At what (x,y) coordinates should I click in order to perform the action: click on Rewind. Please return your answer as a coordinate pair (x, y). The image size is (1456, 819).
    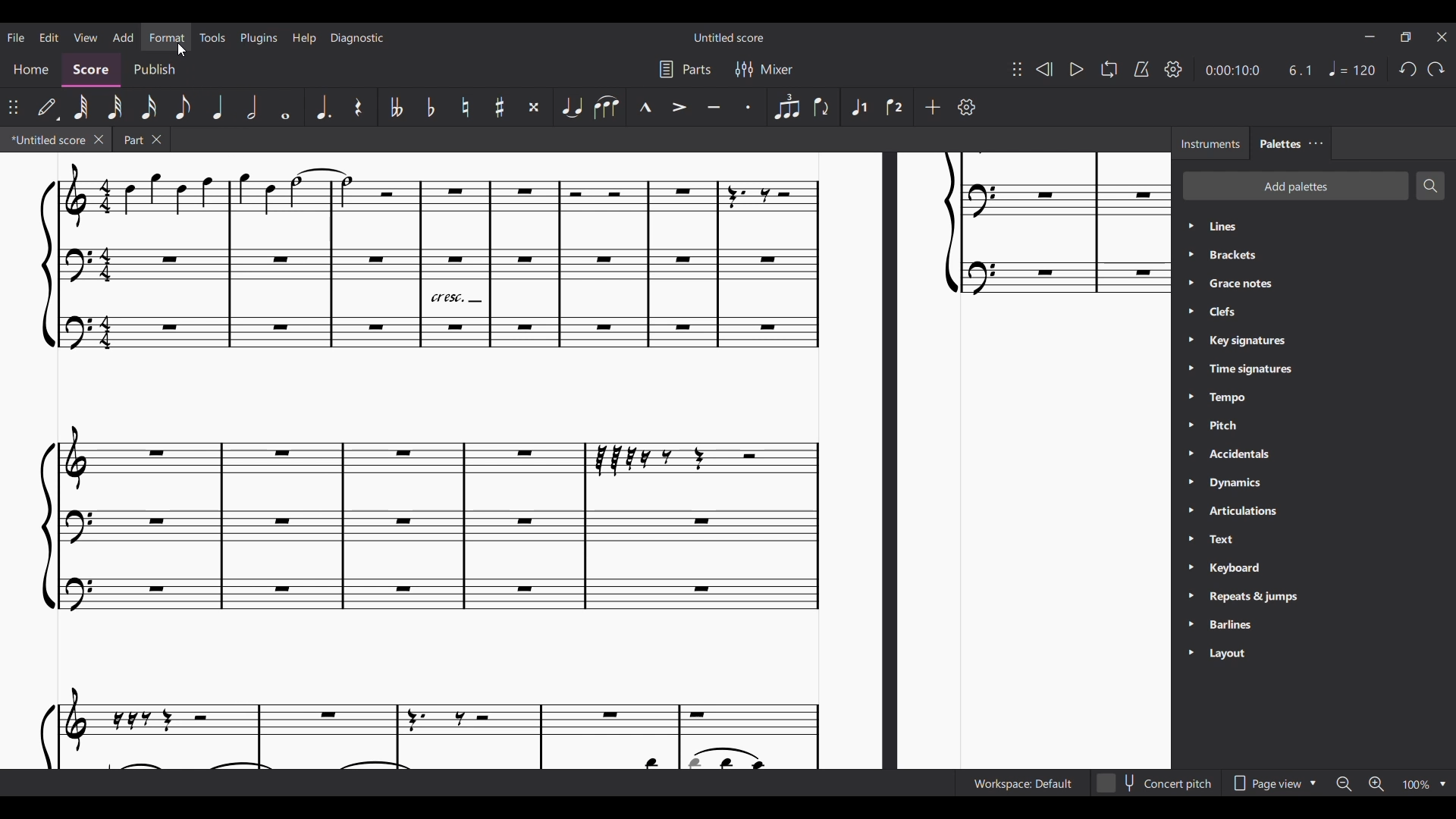
    Looking at the image, I should click on (1043, 69).